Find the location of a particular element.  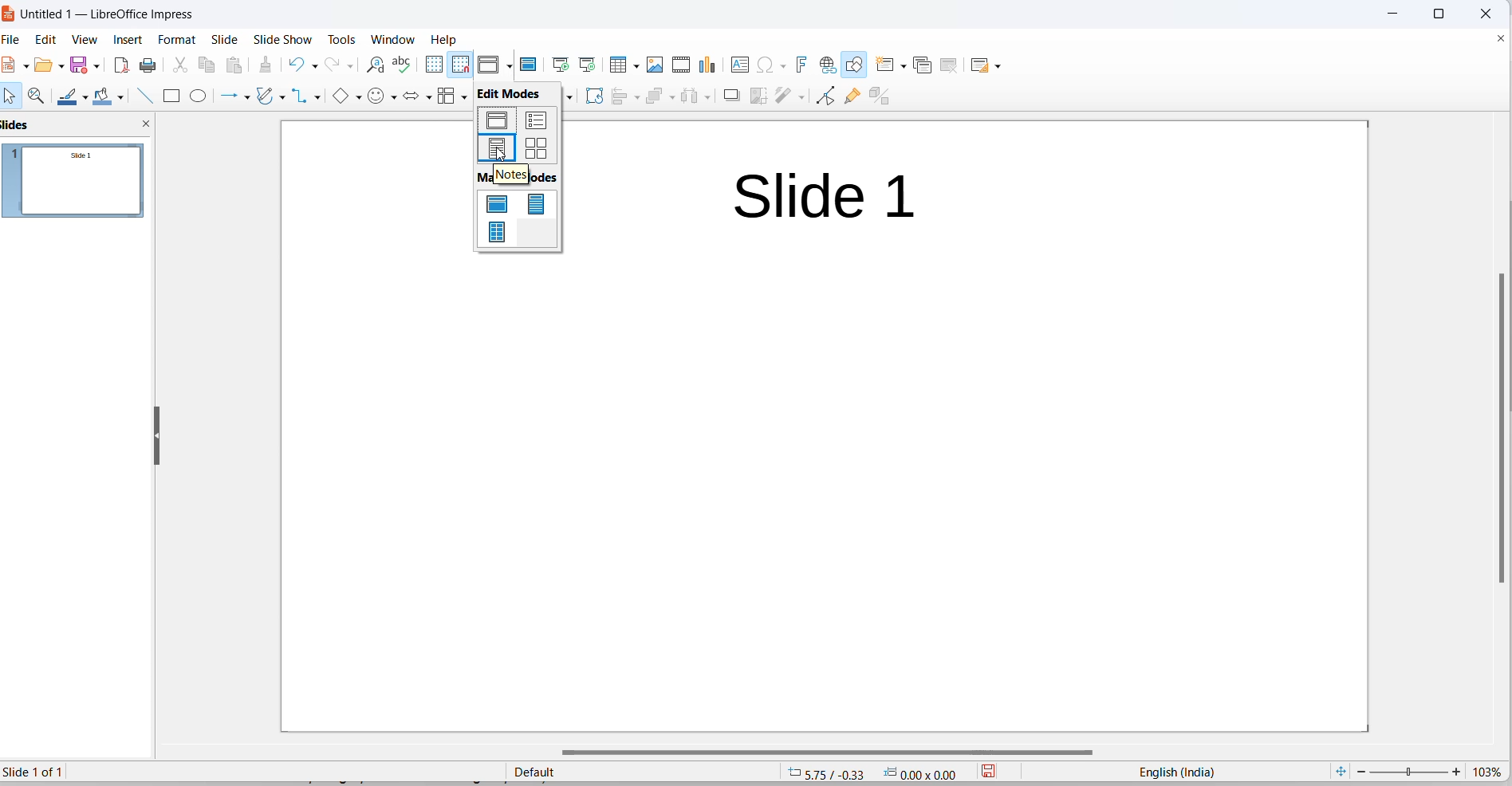

new slide is located at coordinates (884, 64).